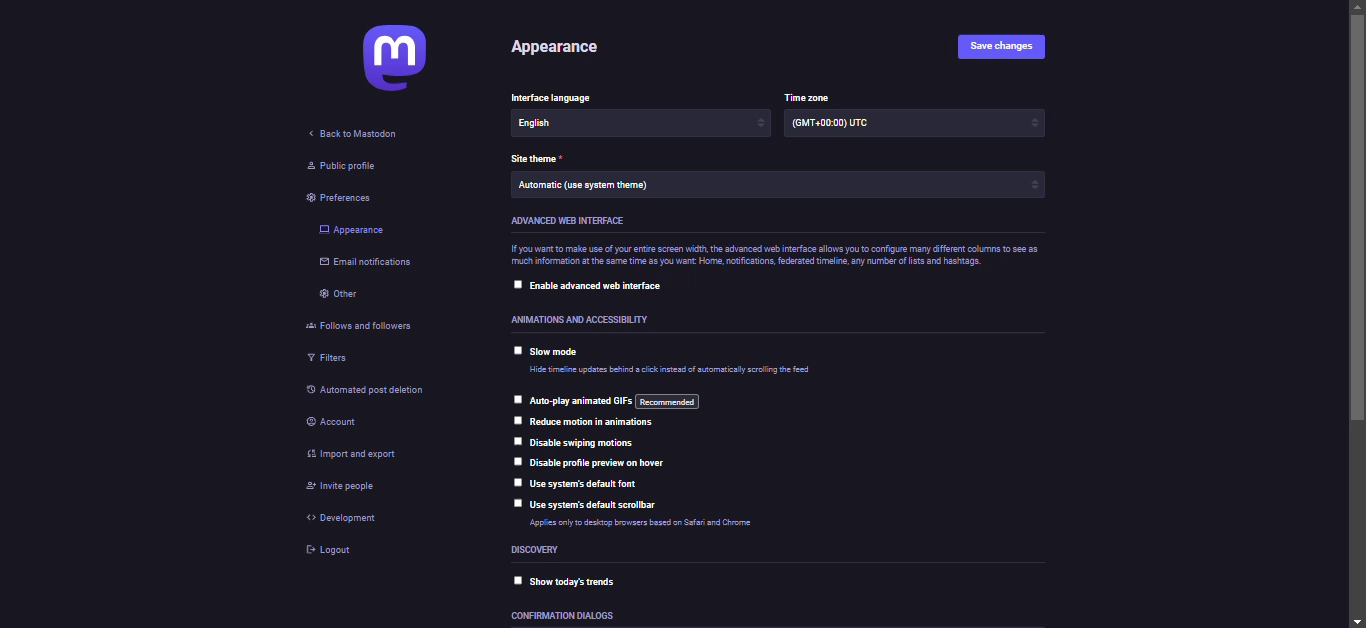 Image resolution: width=1366 pixels, height=628 pixels. What do you see at coordinates (389, 59) in the screenshot?
I see `mastodon` at bounding box center [389, 59].